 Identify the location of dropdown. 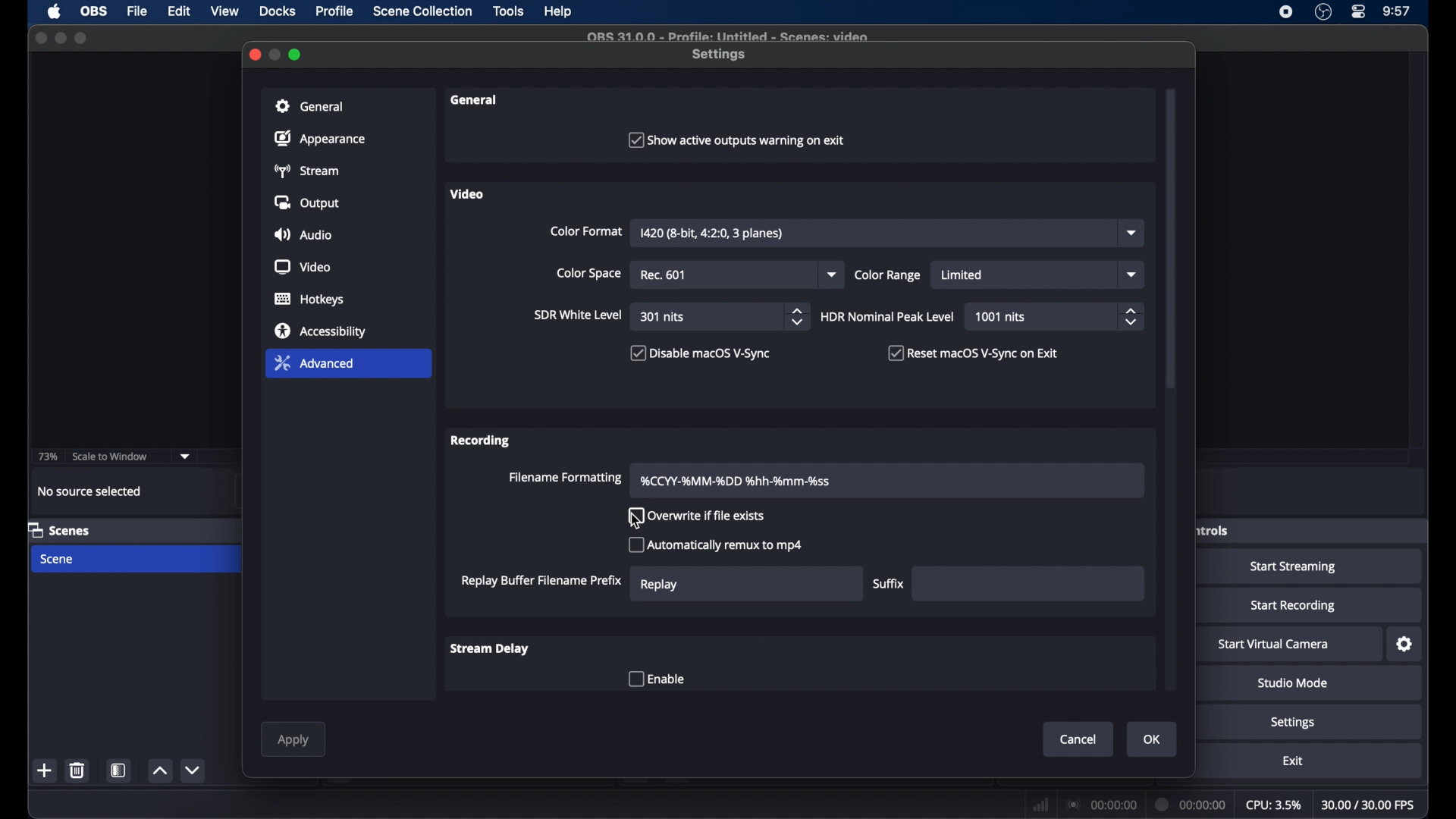
(1132, 275).